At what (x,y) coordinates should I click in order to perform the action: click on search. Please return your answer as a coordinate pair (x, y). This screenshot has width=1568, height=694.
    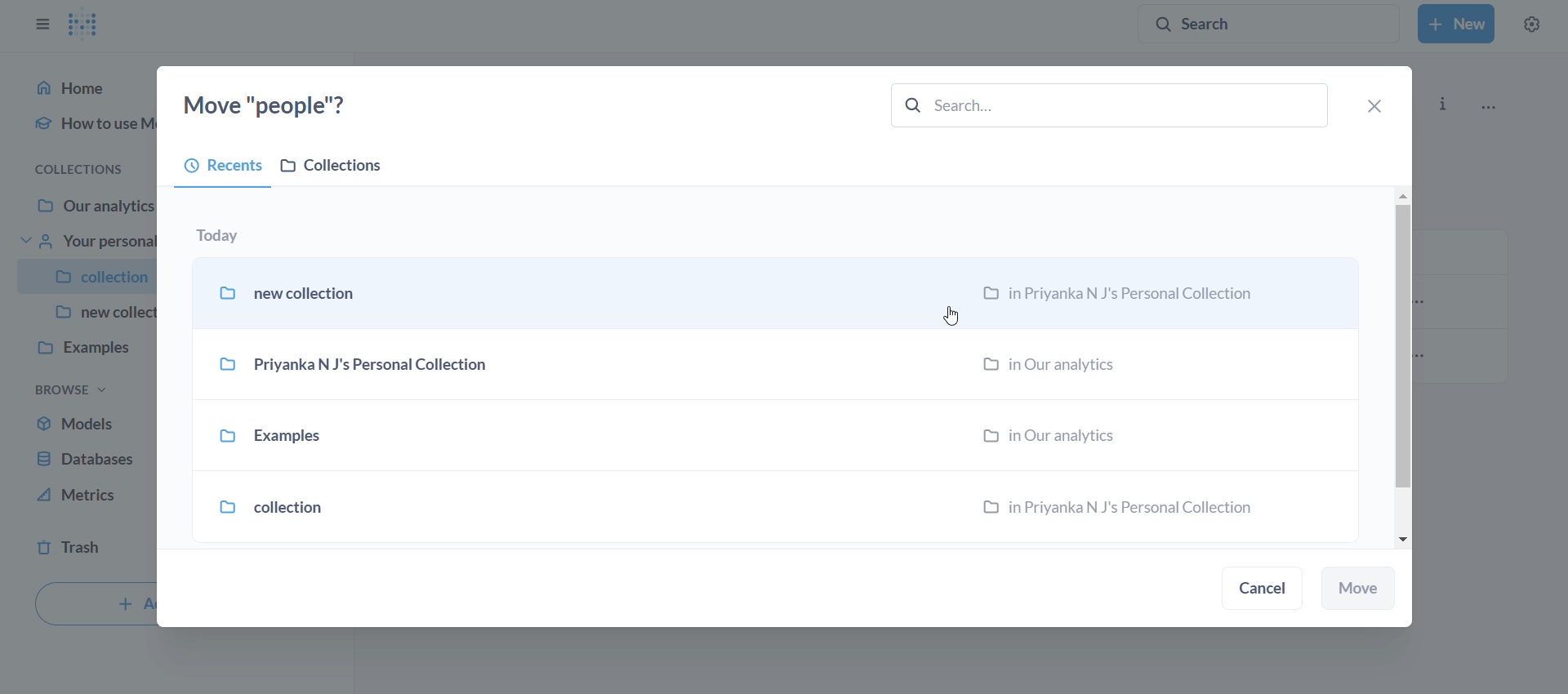
    Looking at the image, I should click on (1111, 105).